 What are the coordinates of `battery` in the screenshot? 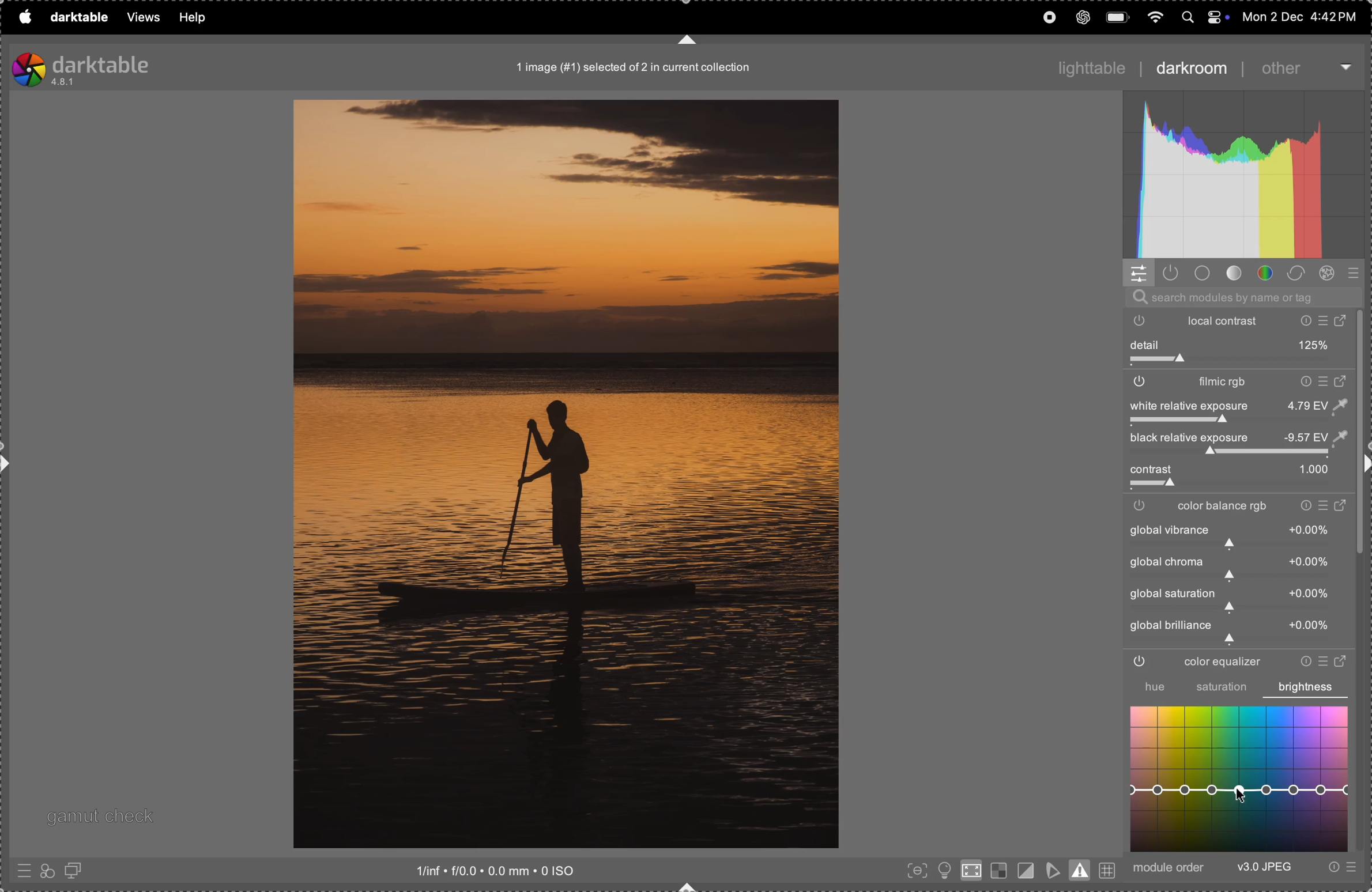 It's located at (1118, 16).